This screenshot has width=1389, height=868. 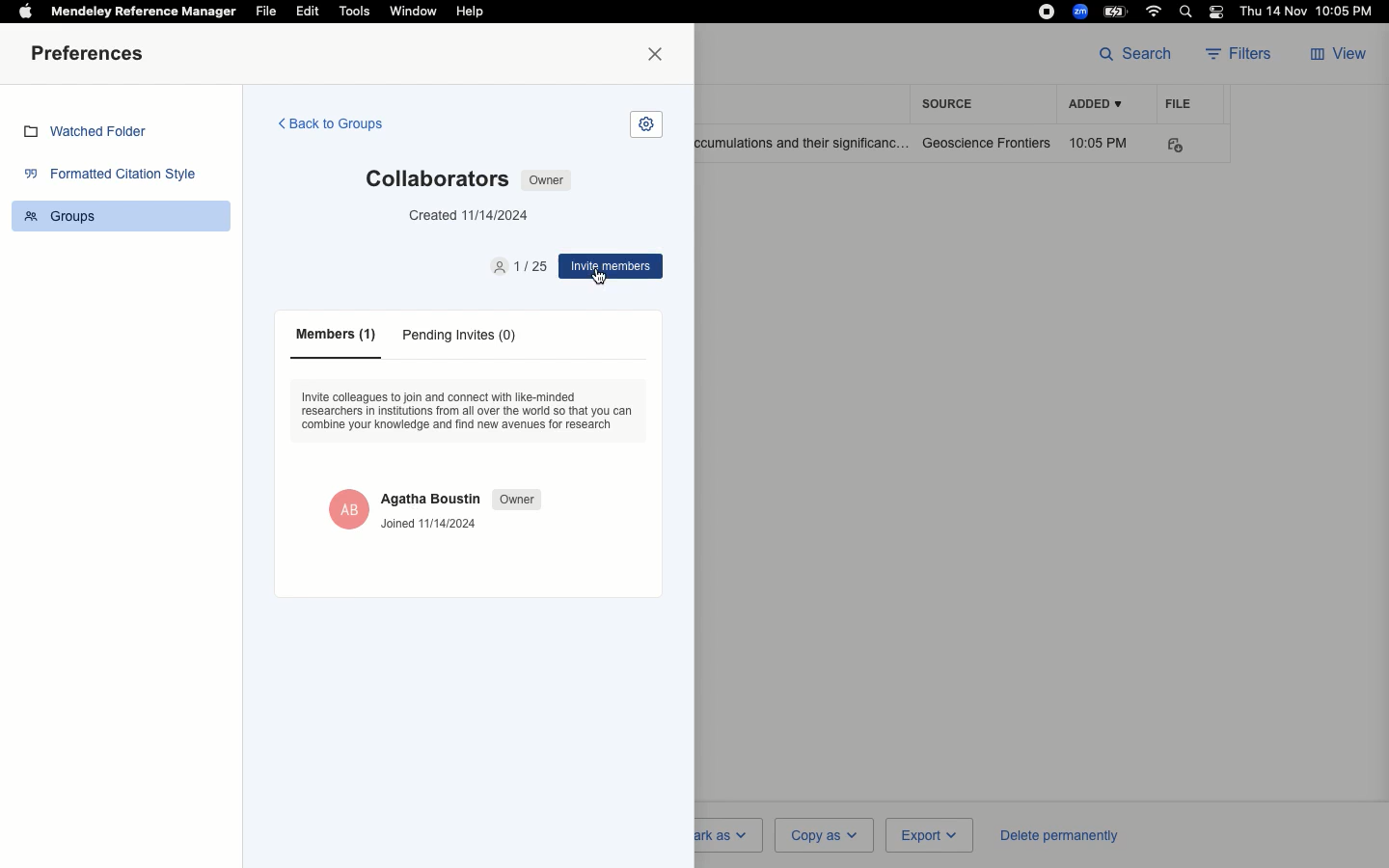 I want to click on Members, so click(x=330, y=336).